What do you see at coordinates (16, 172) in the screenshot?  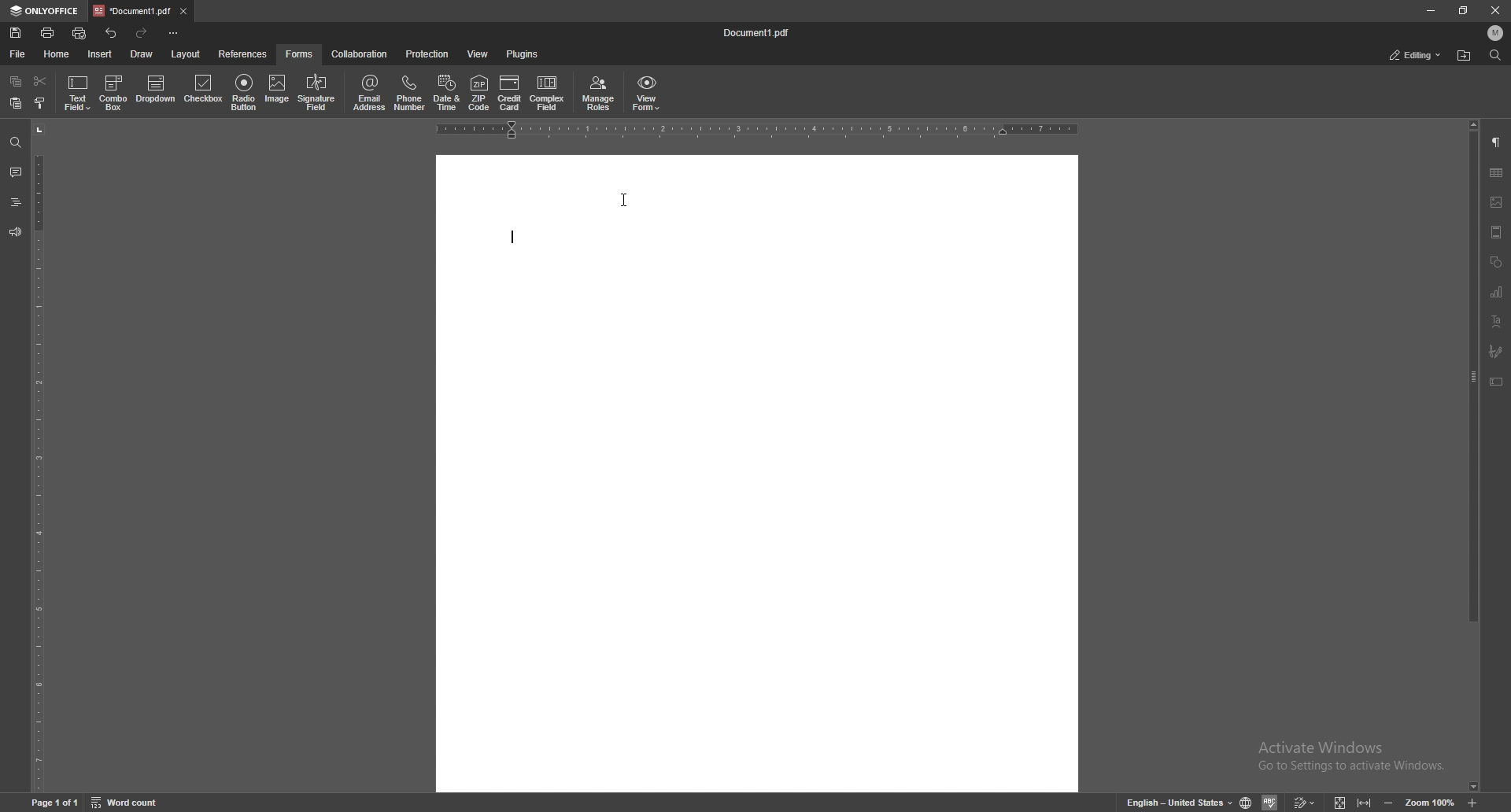 I see `comment` at bounding box center [16, 172].